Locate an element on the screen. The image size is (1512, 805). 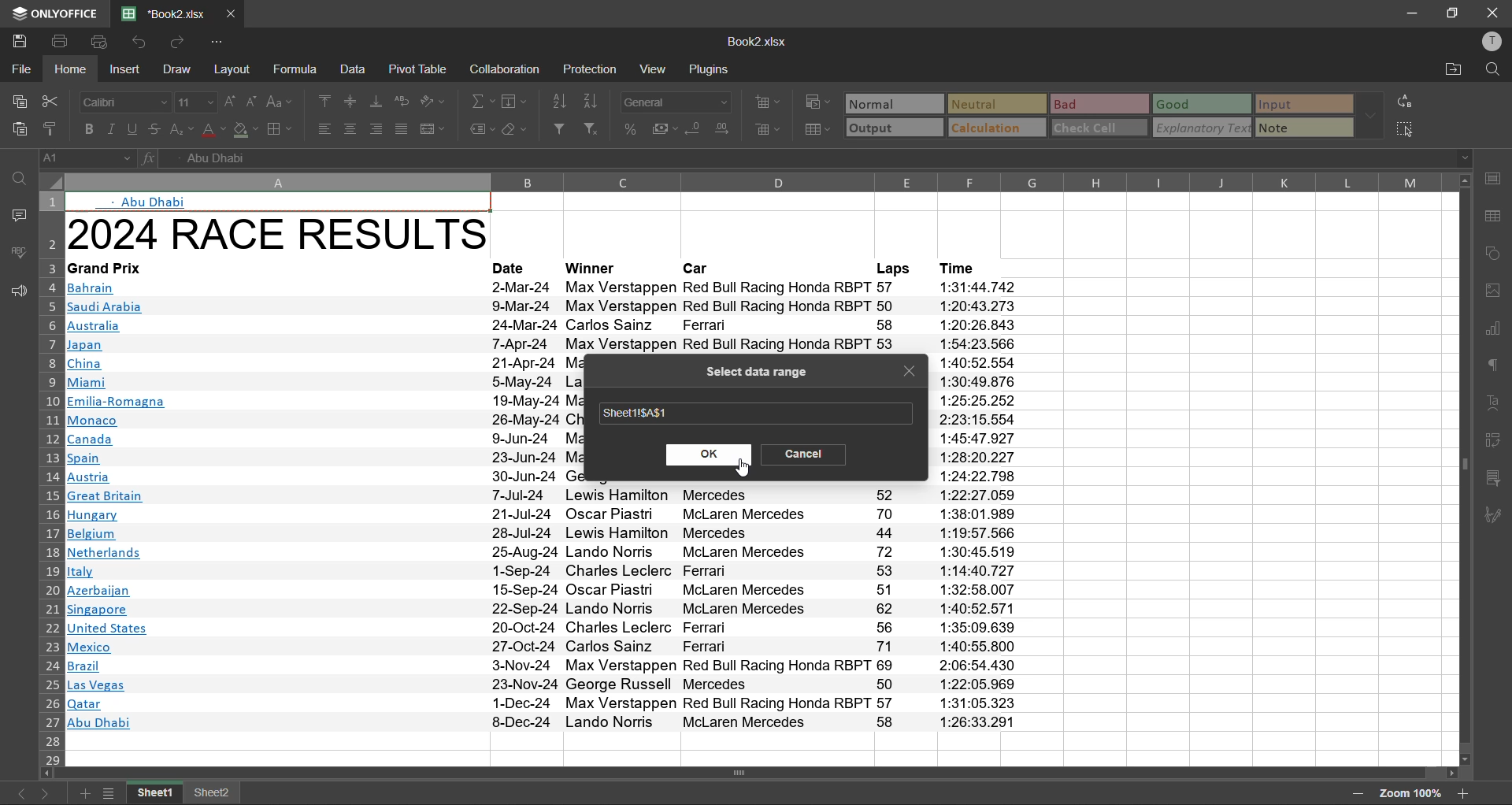
align center is located at coordinates (351, 127).